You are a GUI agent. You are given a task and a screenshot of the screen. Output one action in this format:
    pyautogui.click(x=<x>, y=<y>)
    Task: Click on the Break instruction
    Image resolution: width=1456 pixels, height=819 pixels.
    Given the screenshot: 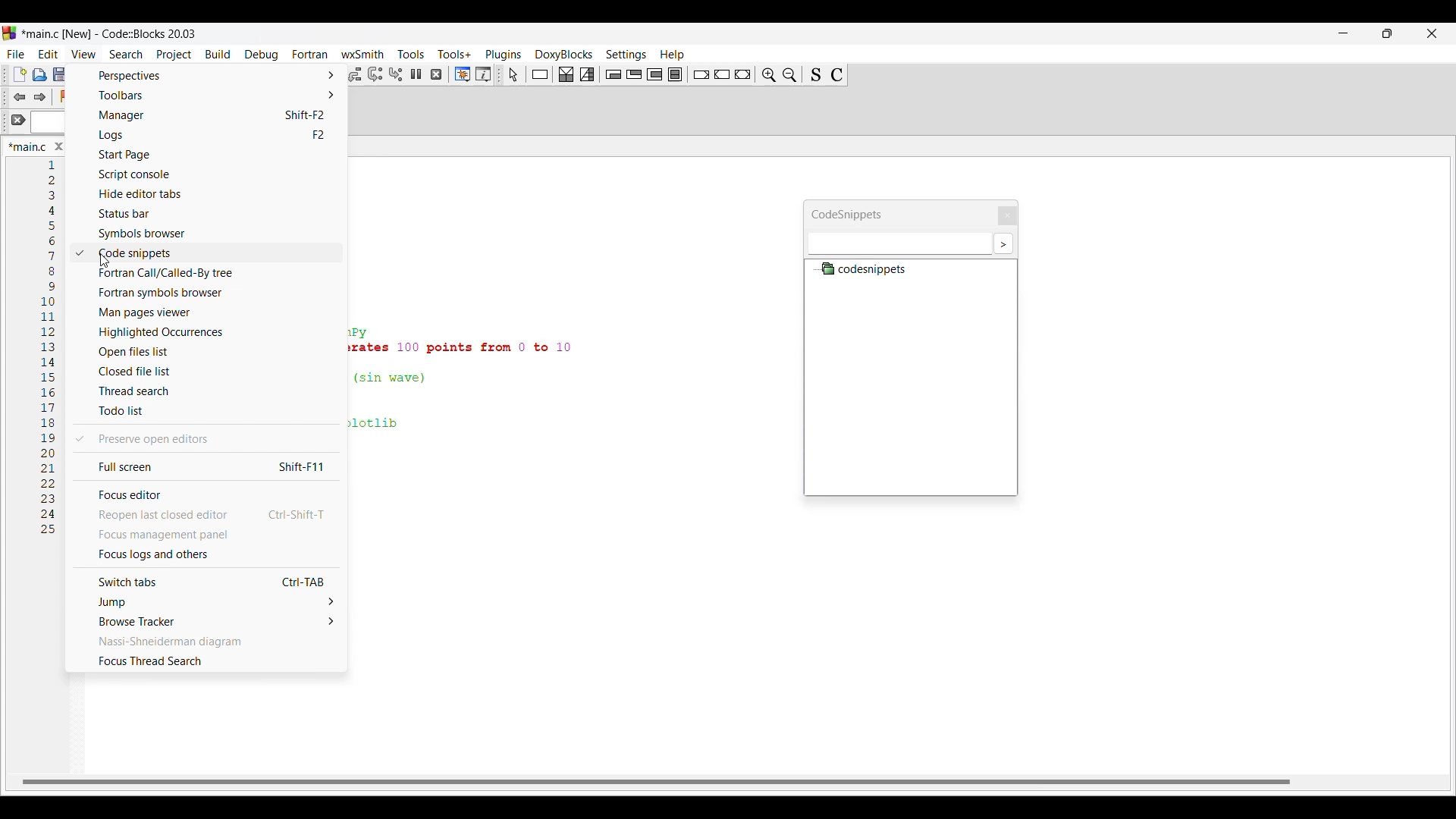 What is the action you would take?
    pyautogui.click(x=701, y=75)
    